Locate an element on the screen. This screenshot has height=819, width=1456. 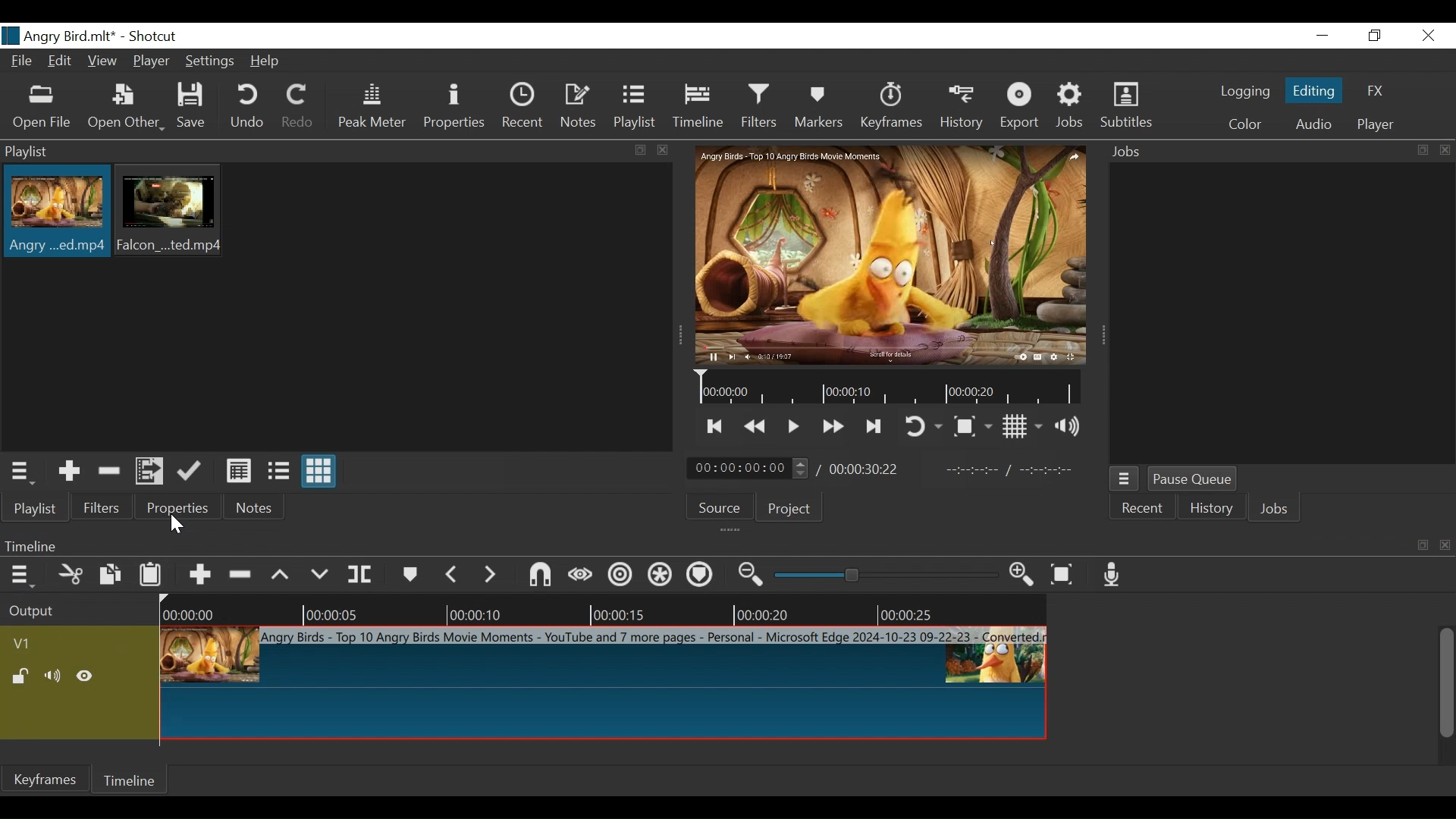
Editing is located at coordinates (1313, 91).